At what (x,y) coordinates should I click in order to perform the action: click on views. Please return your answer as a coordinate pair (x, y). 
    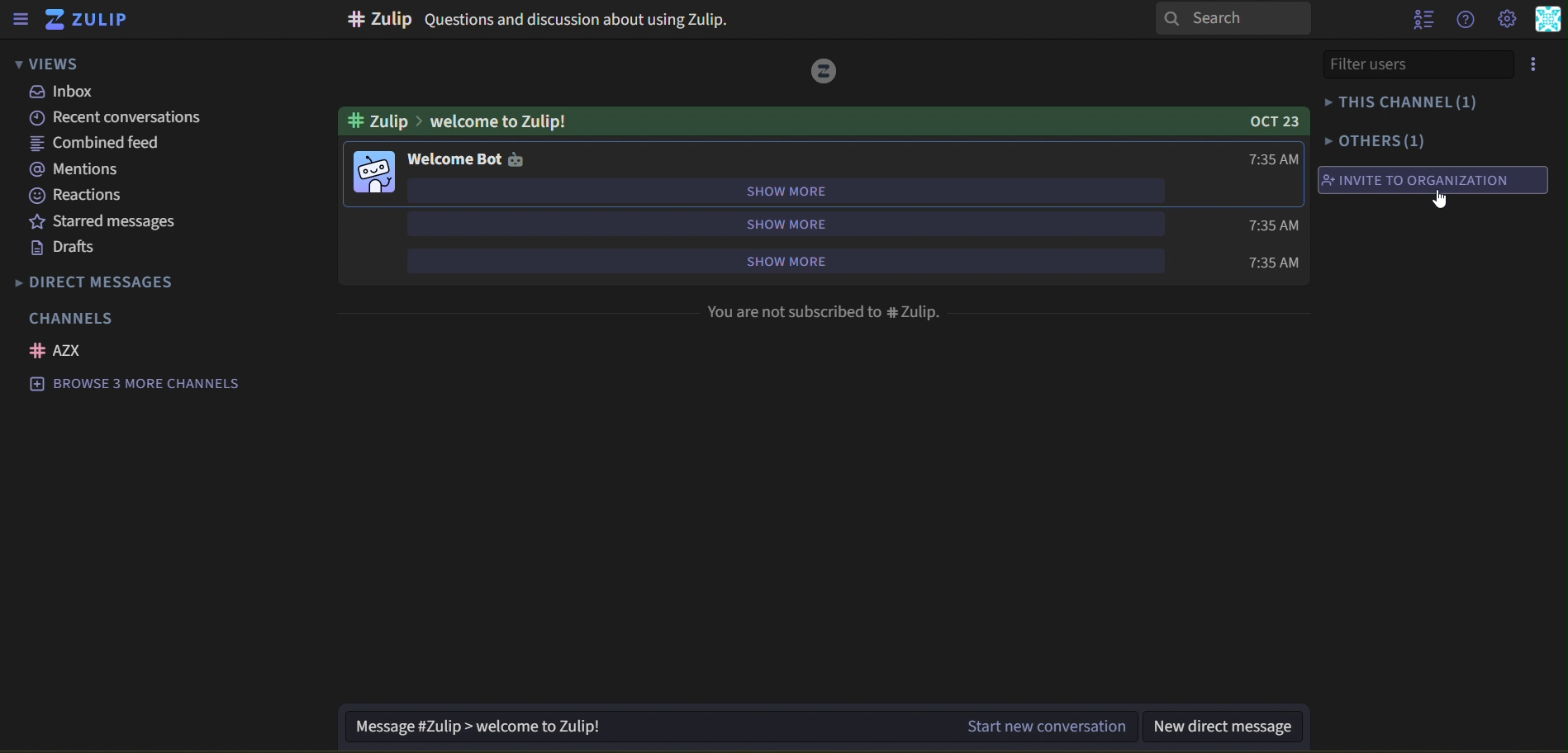
    Looking at the image, I should click on (59, 64).